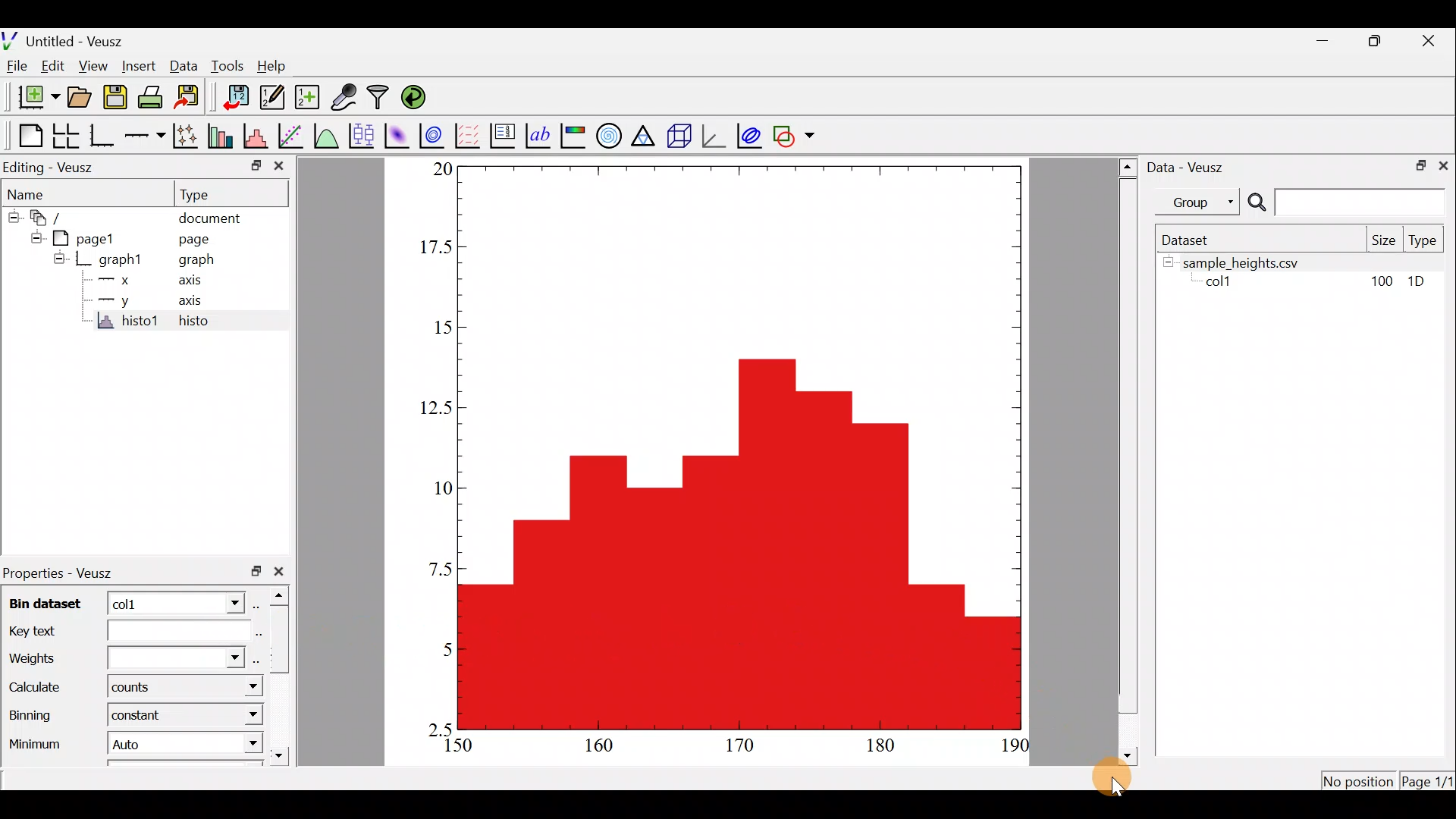 The height and width of the screenshot is (819, 1456). I want to click on Auto, so click(128, 742).